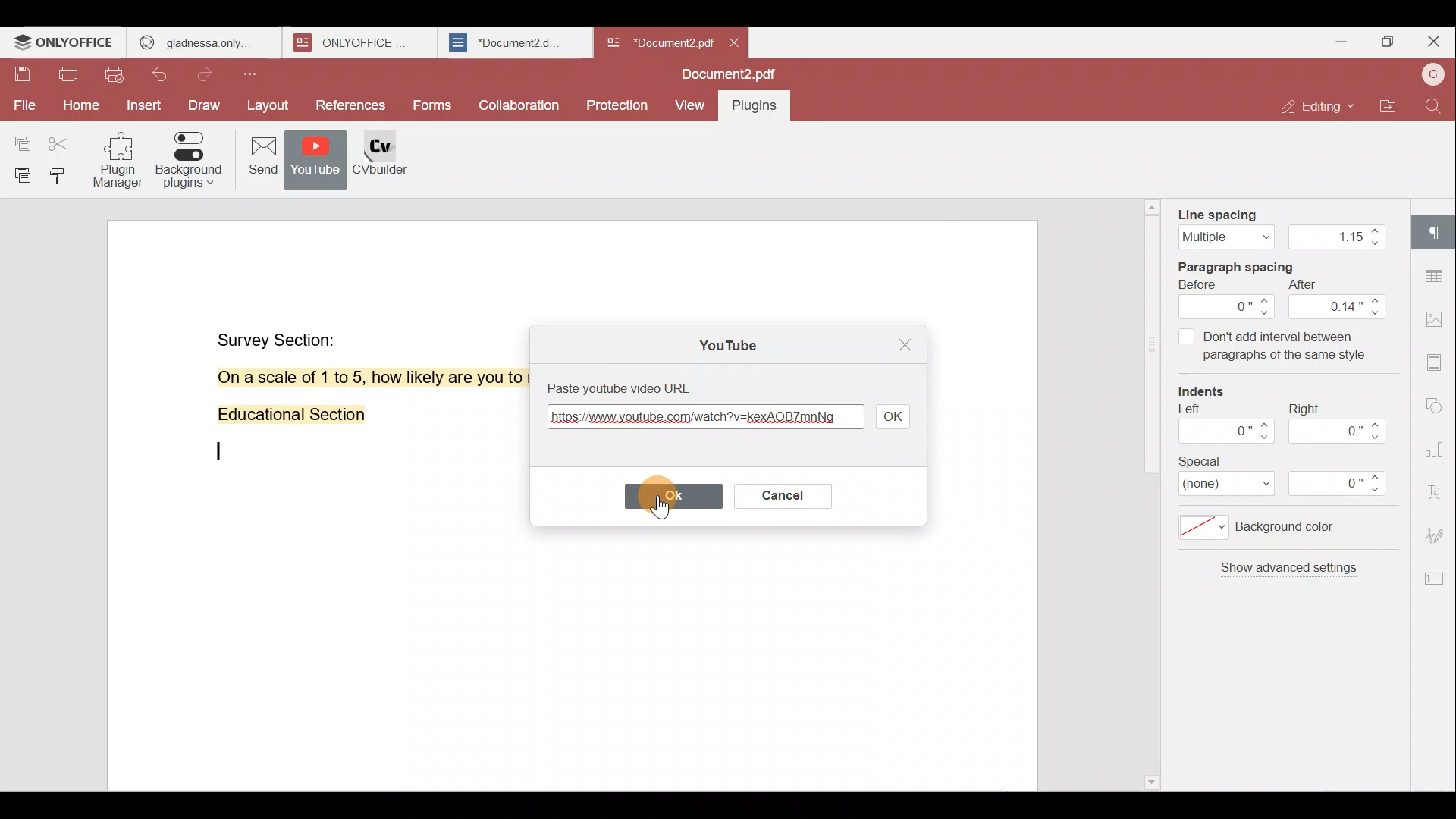 Image resolution: width=1456 pixels, height=819 pixels. I want to click on OK, so click(893, 416).